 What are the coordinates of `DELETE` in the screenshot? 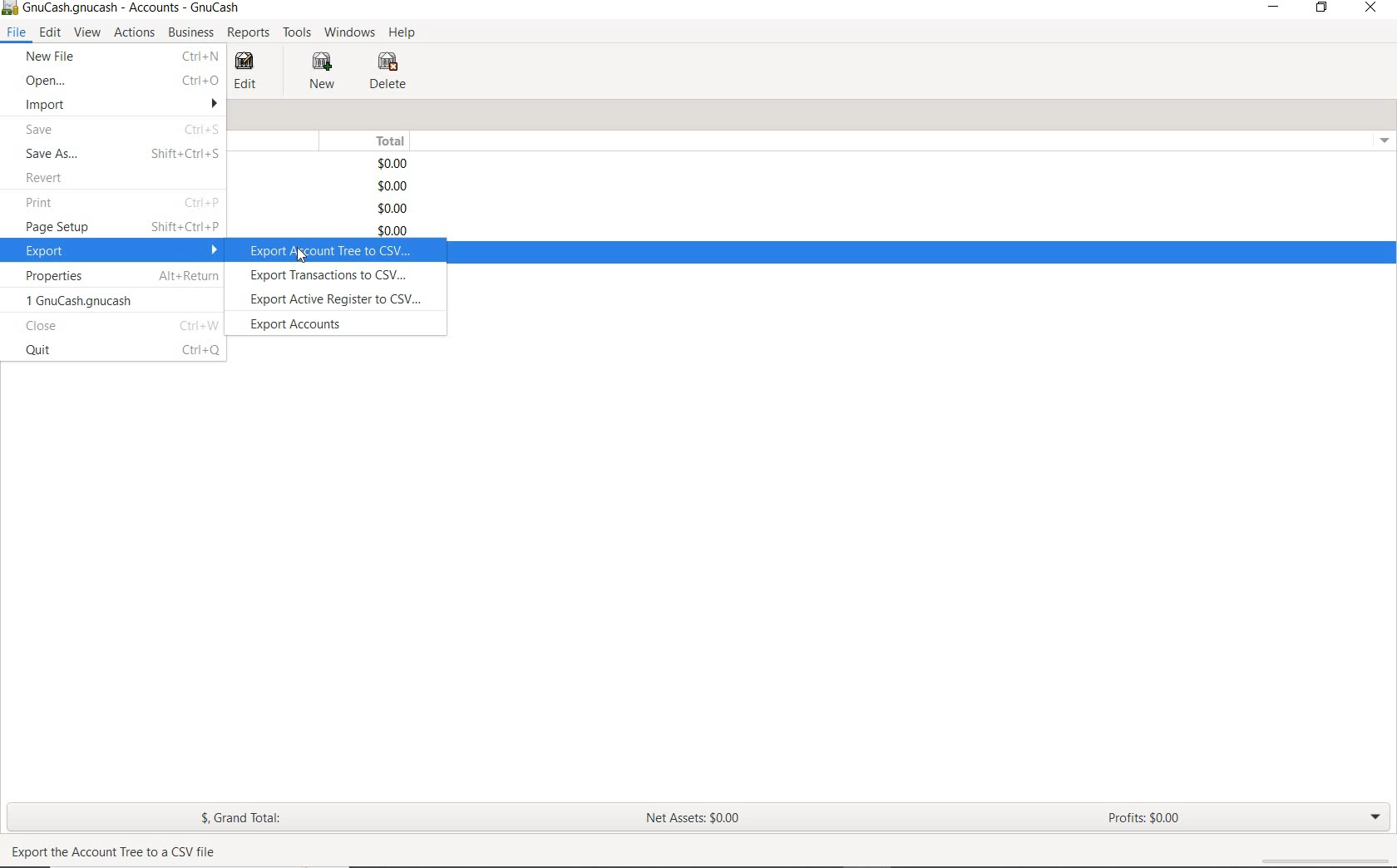 It's located at (388, 73).